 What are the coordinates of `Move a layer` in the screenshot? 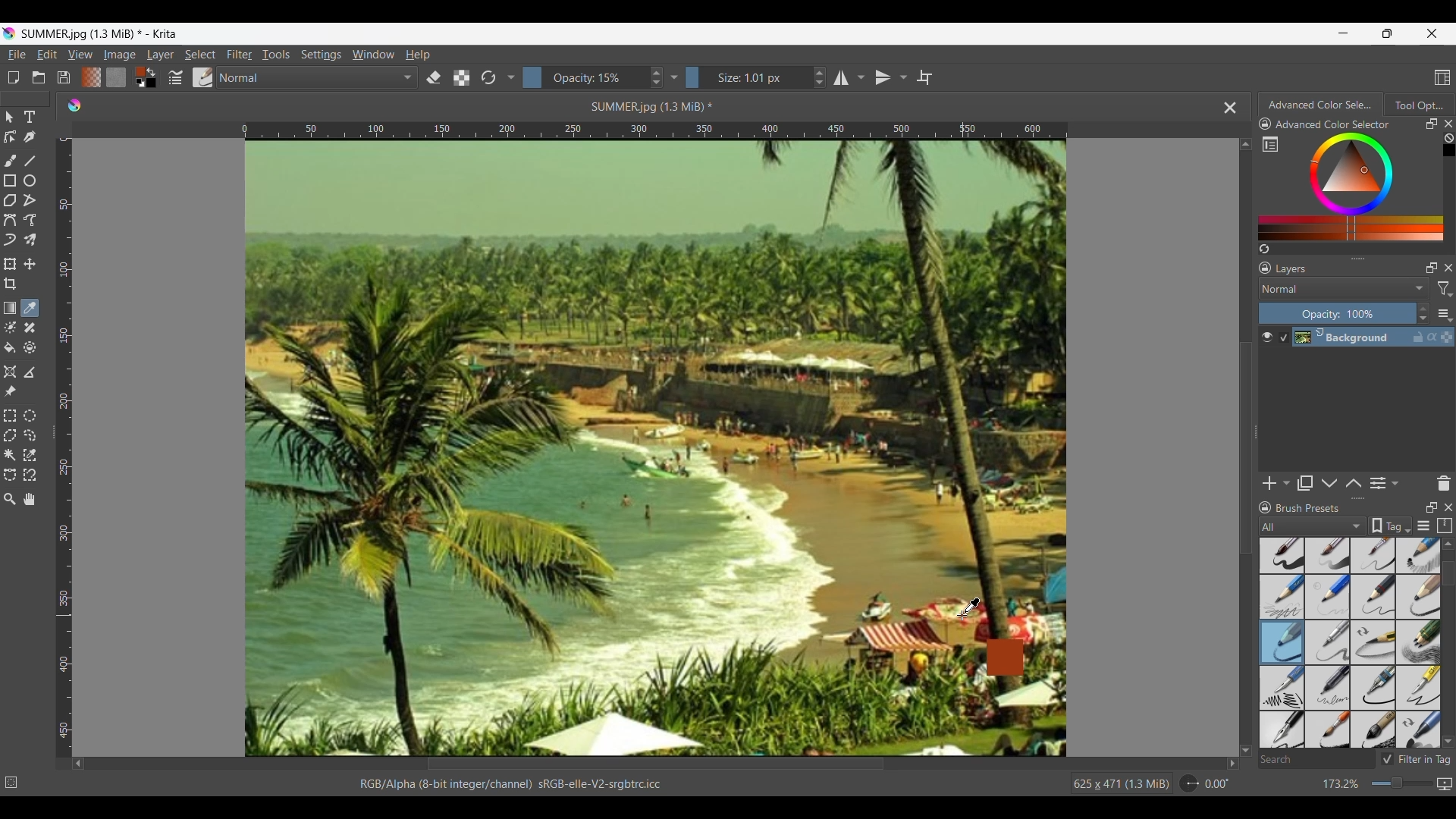 It's located at (29, 264).